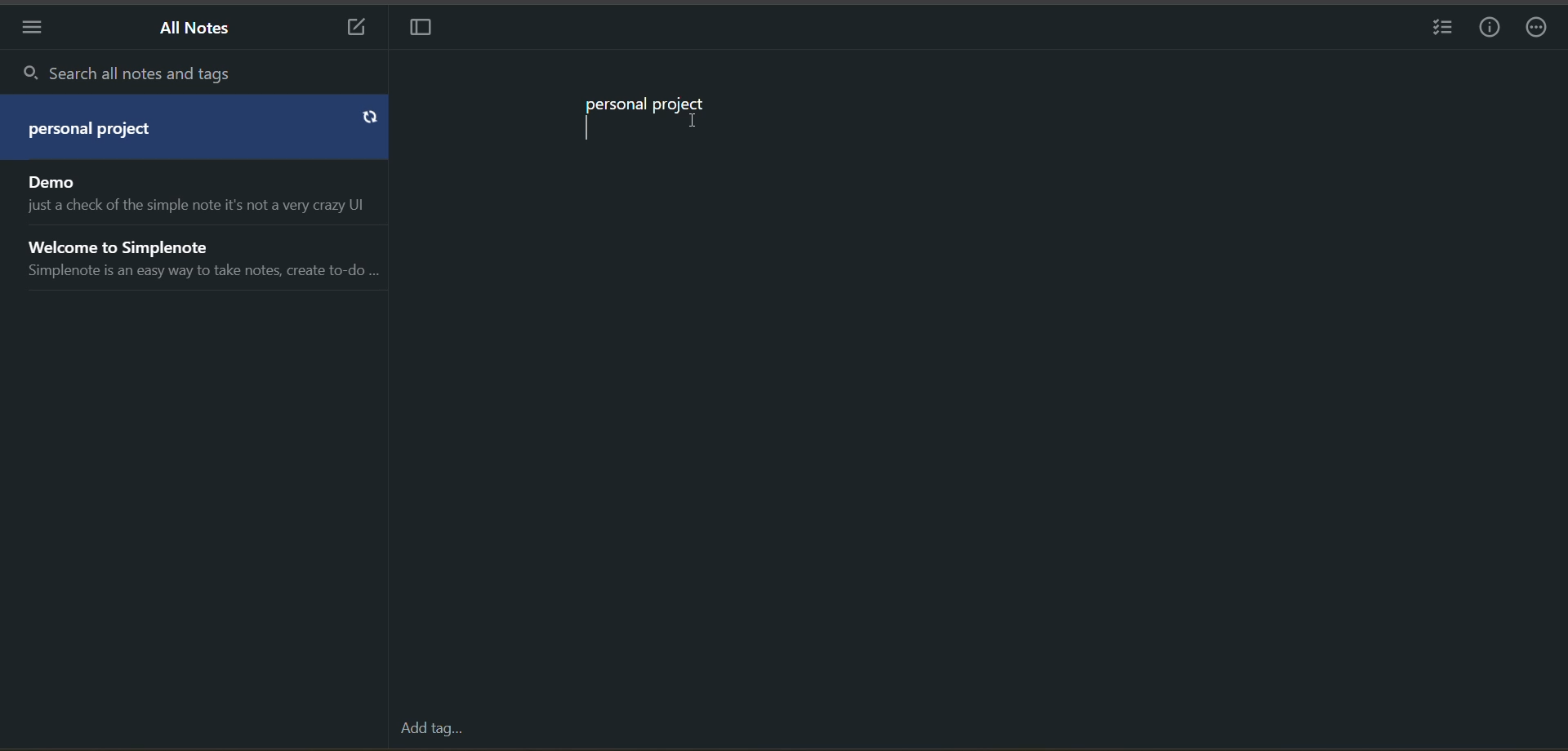  Describe the element at coordinates (98, 132) in the screenshot. I see `note title or heading` at that location.